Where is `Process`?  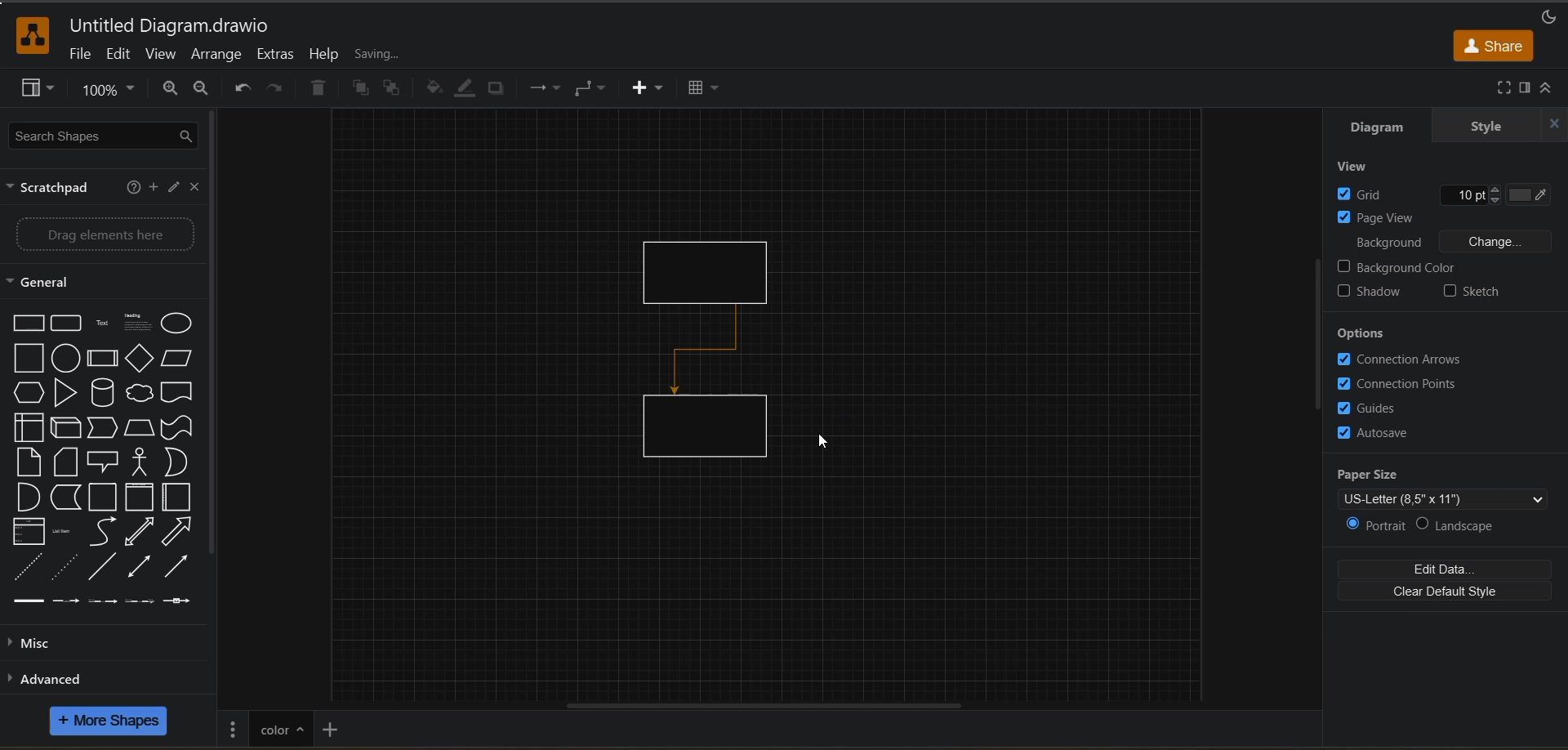
Process is located at coordinates (104, 359).